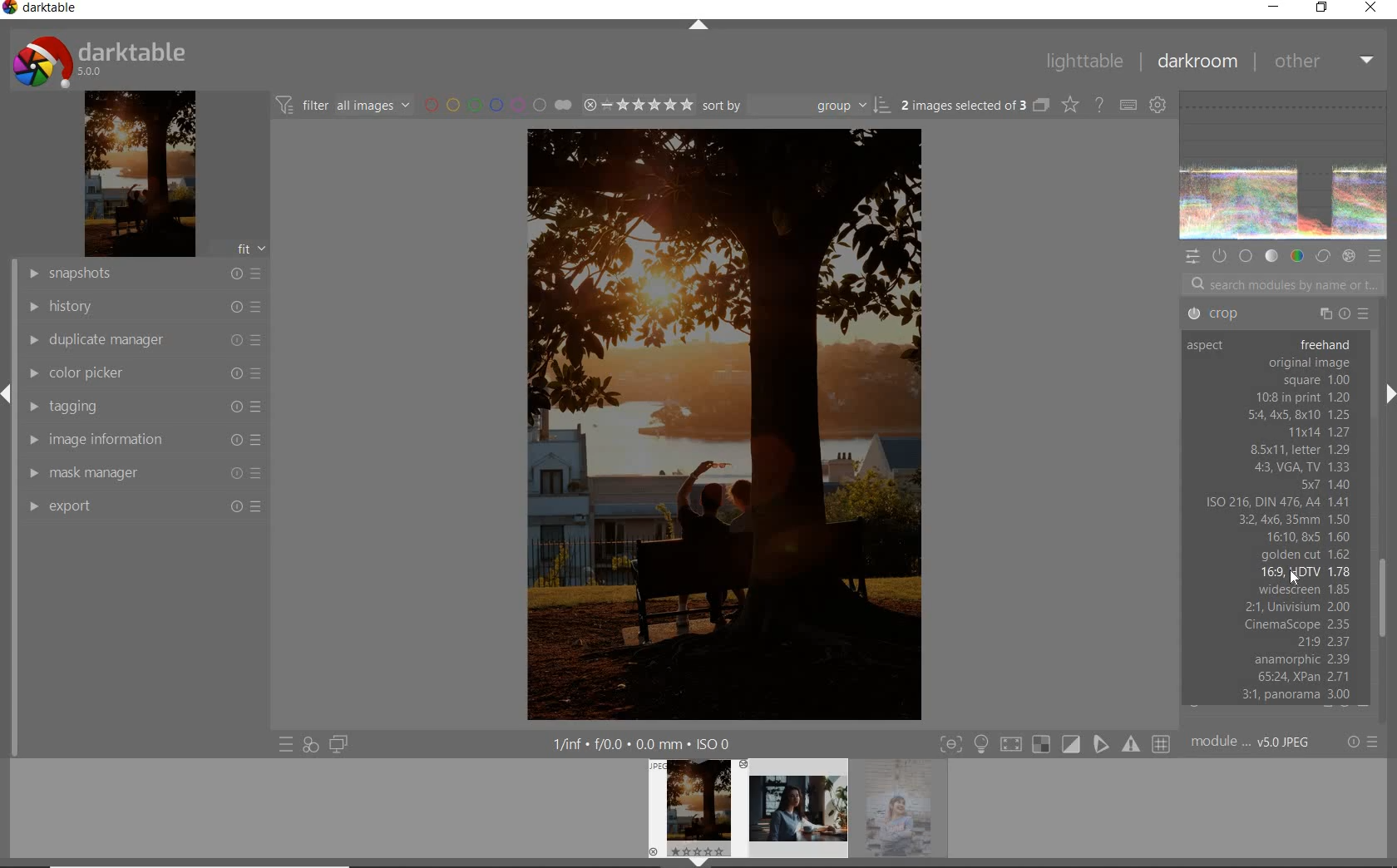  Describe the element at coordinates (1349, 257) in the screenshot. I see `effect ` at that location.